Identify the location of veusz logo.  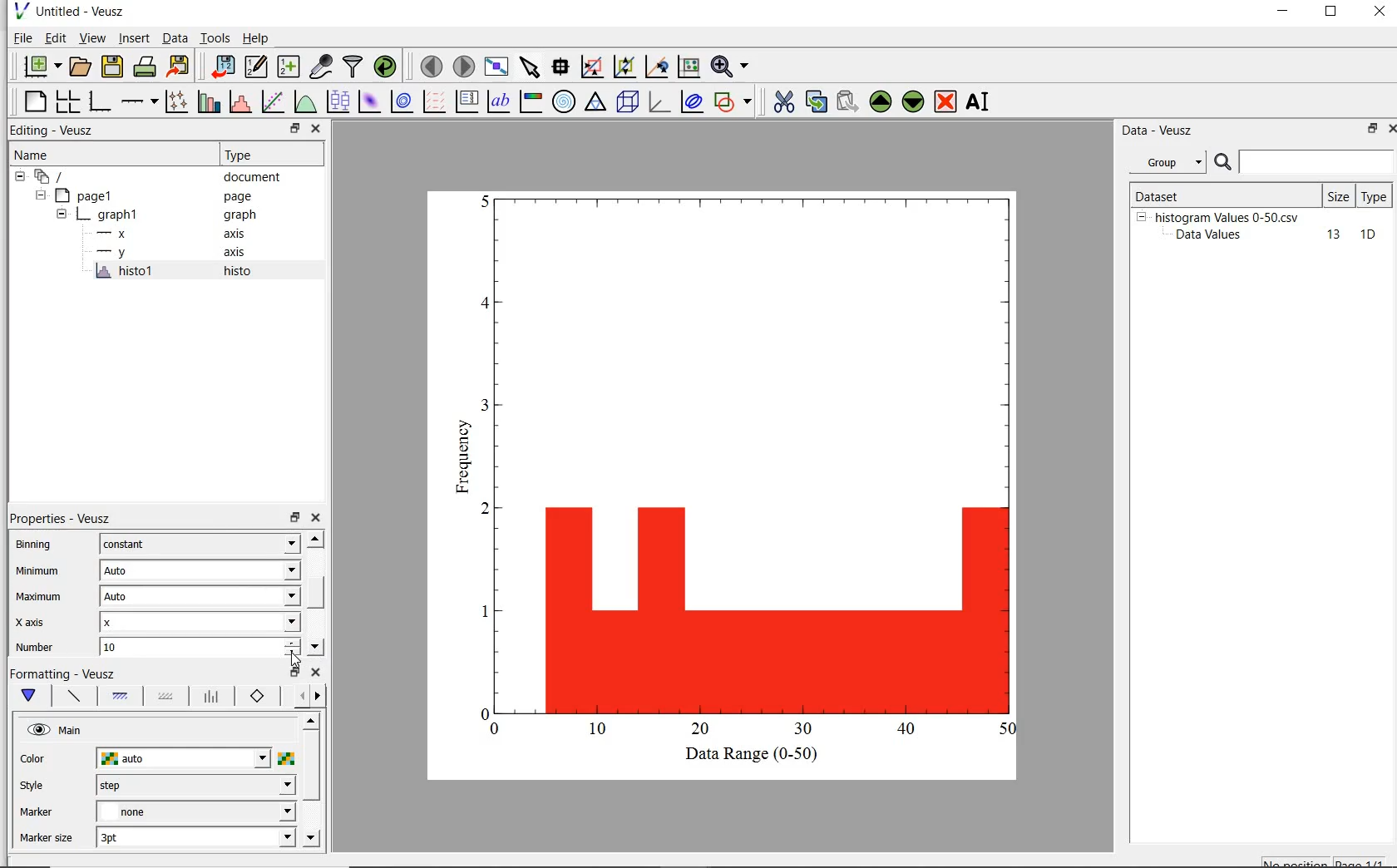
(20, 11).